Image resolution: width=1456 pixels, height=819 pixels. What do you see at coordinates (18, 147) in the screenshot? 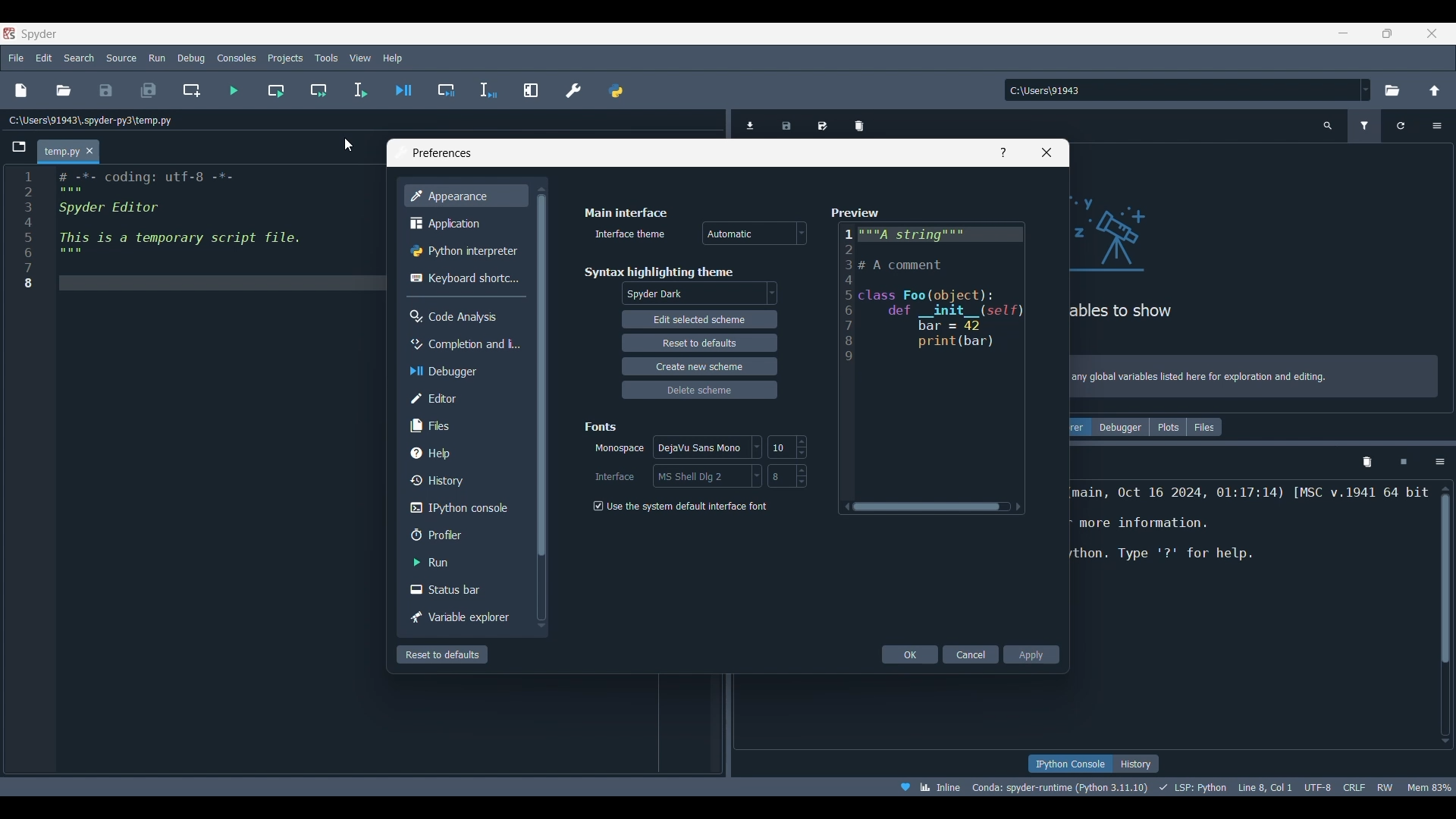
I see `Browse tabs` at bounding box center [18, 147].